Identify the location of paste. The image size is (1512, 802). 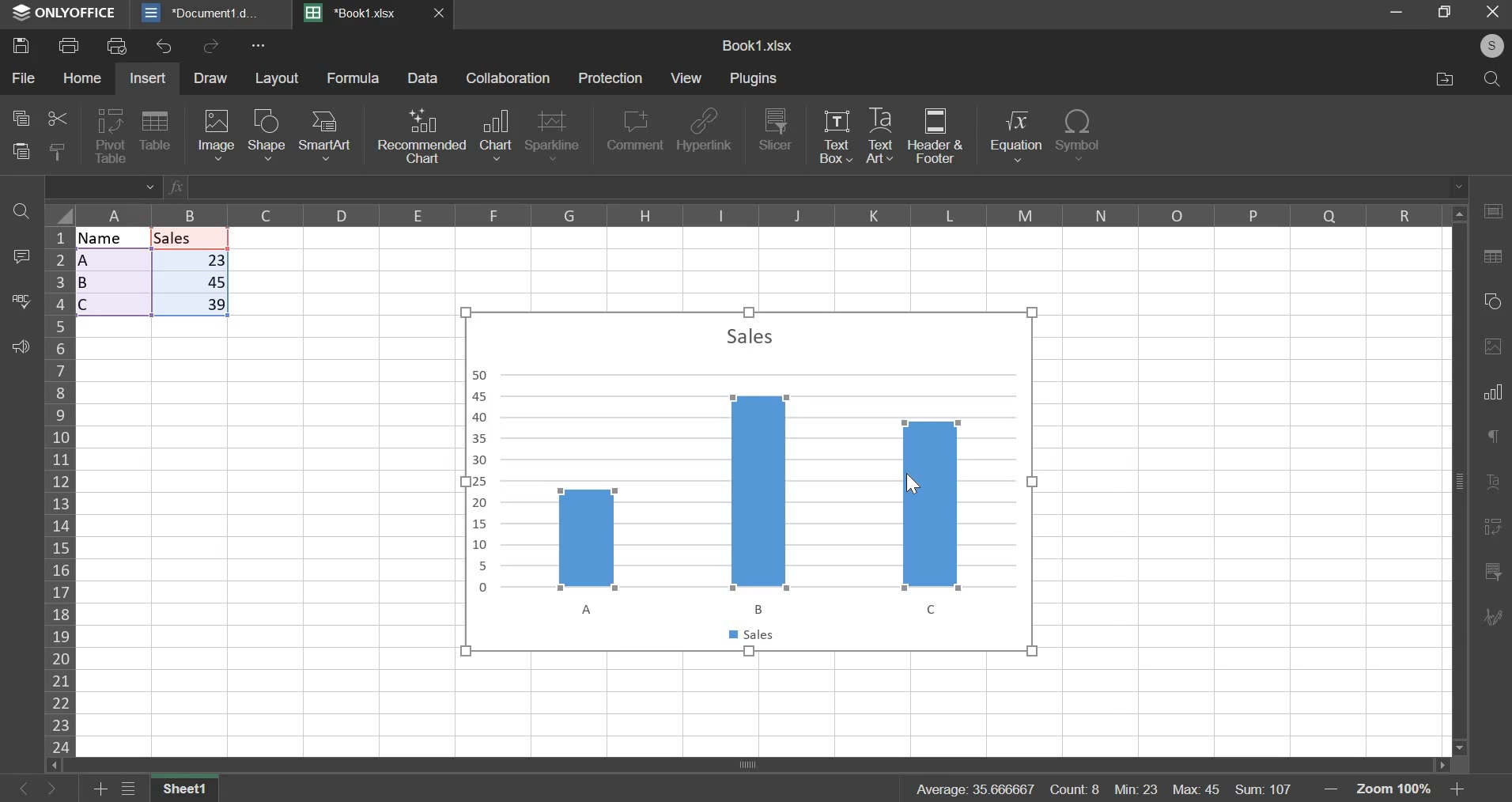
(22, 151).